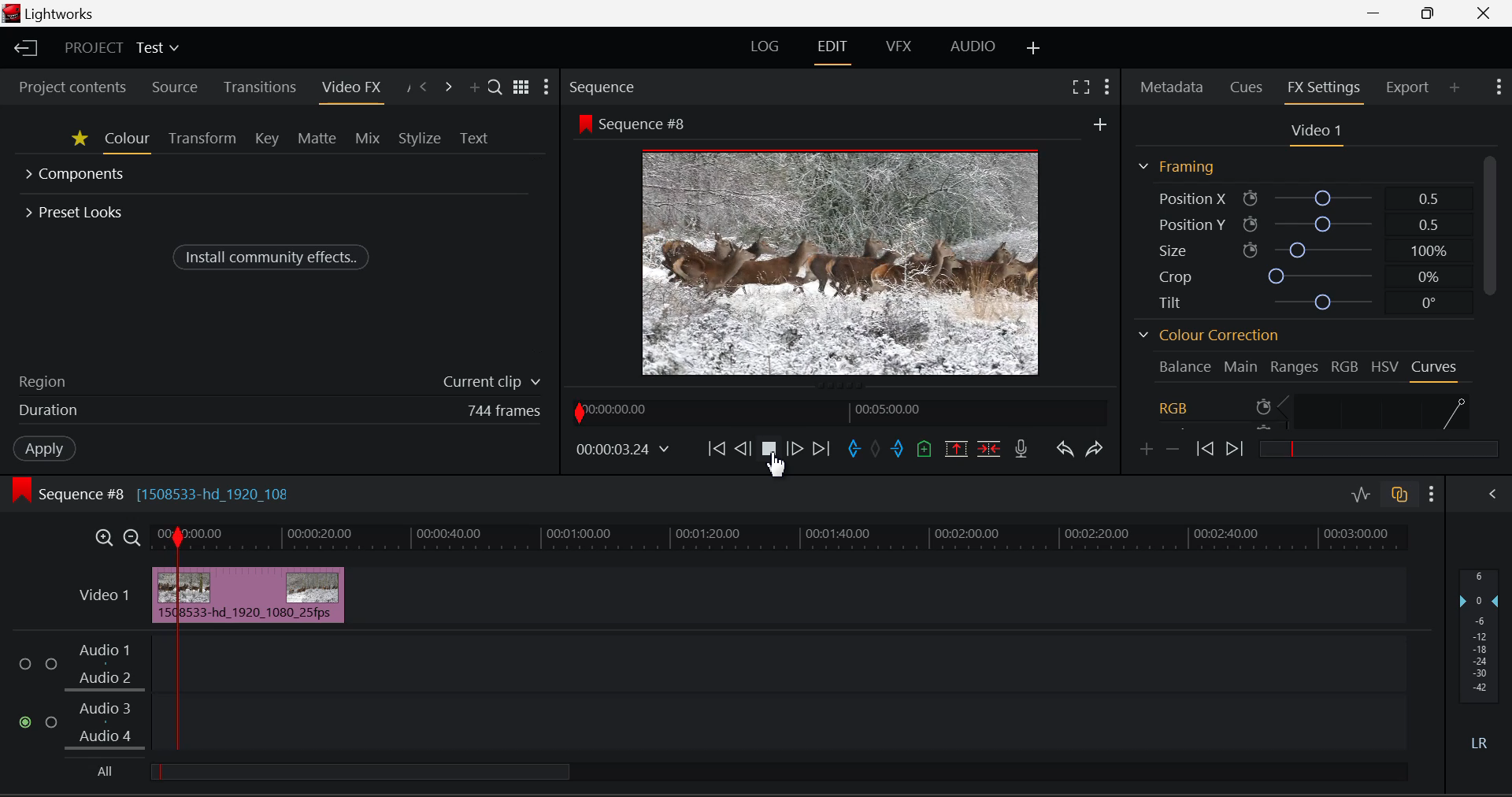 The image size is (1512, 797). What do you see at coordinates (1399, 498) in the screenshot?
I see `Toggle audio track sync` at bounding box center [1399, 498].